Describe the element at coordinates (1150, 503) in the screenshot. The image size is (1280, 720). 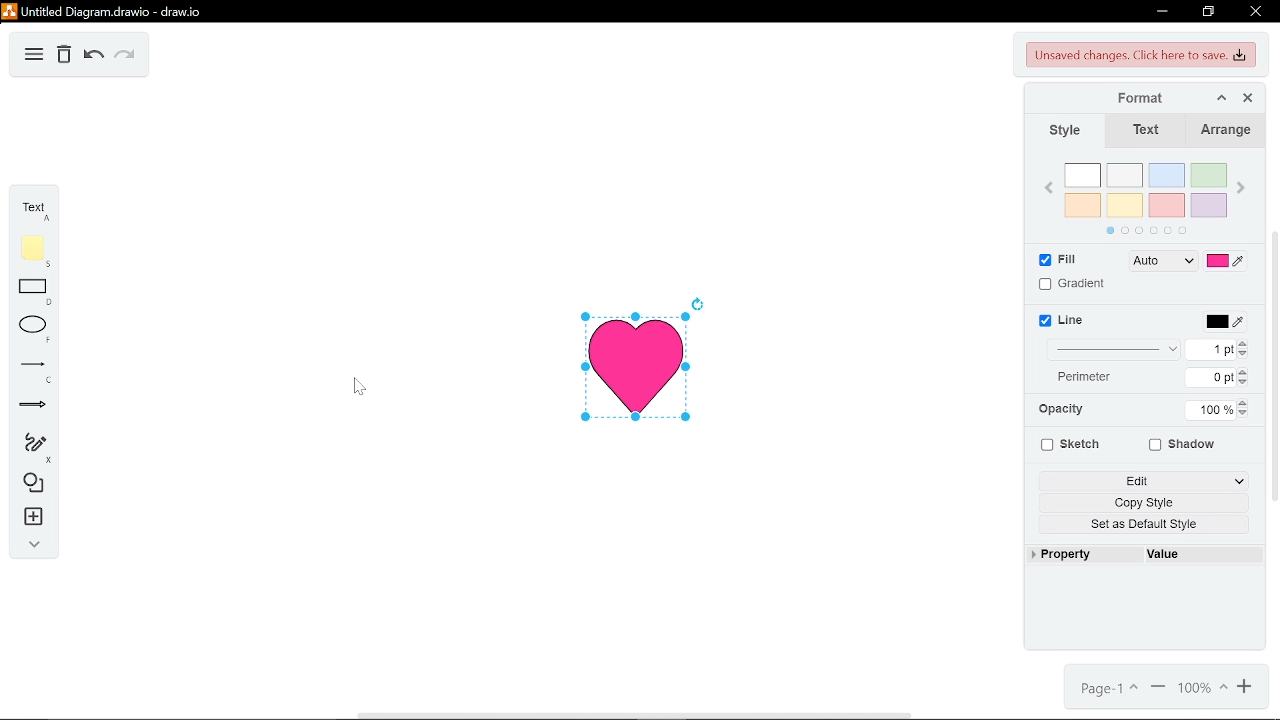
I see `copy style` at that location.